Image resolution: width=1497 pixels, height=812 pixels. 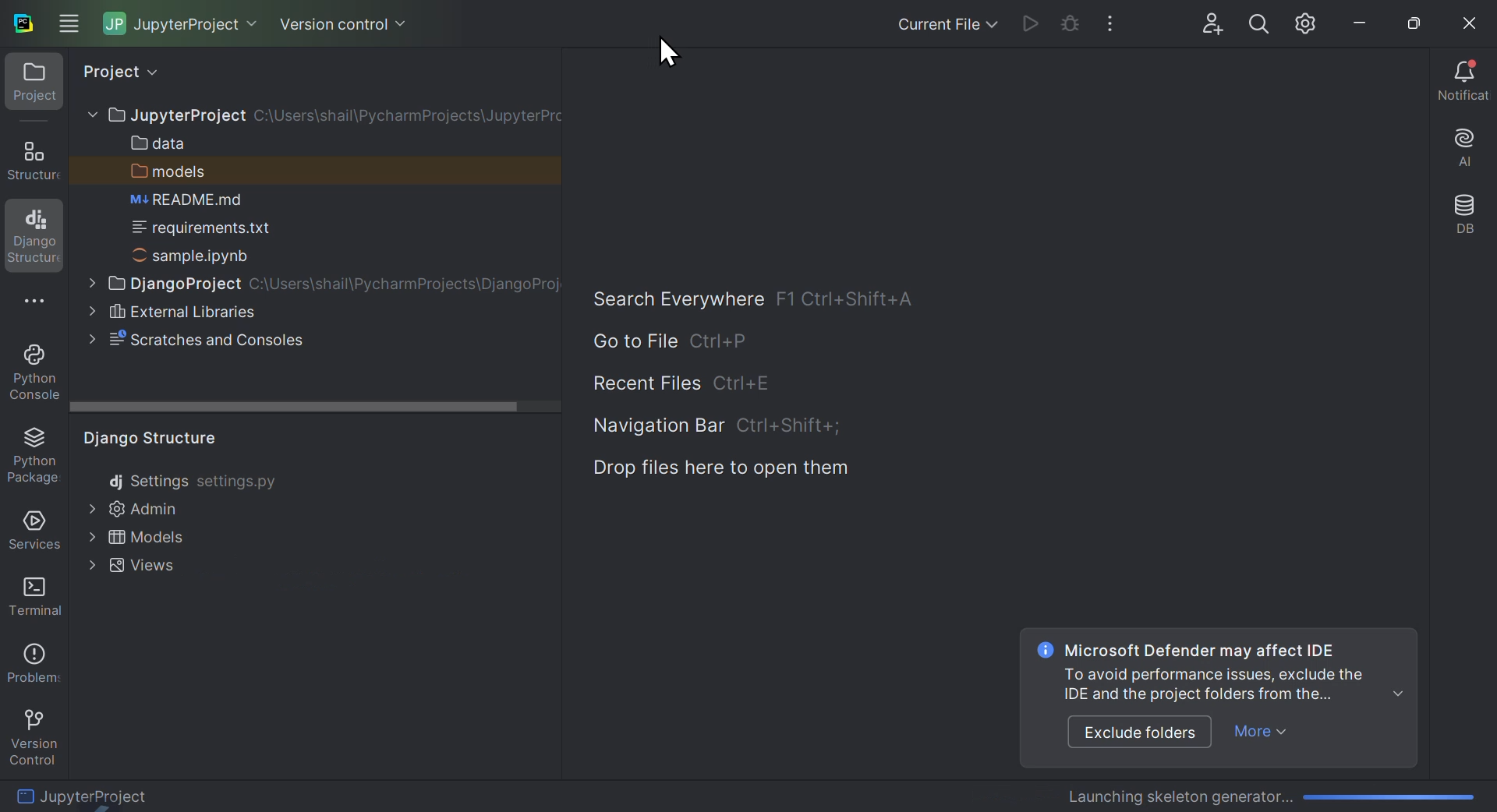 I want to click on Performance suggestion, so click(x=1240, y=671).